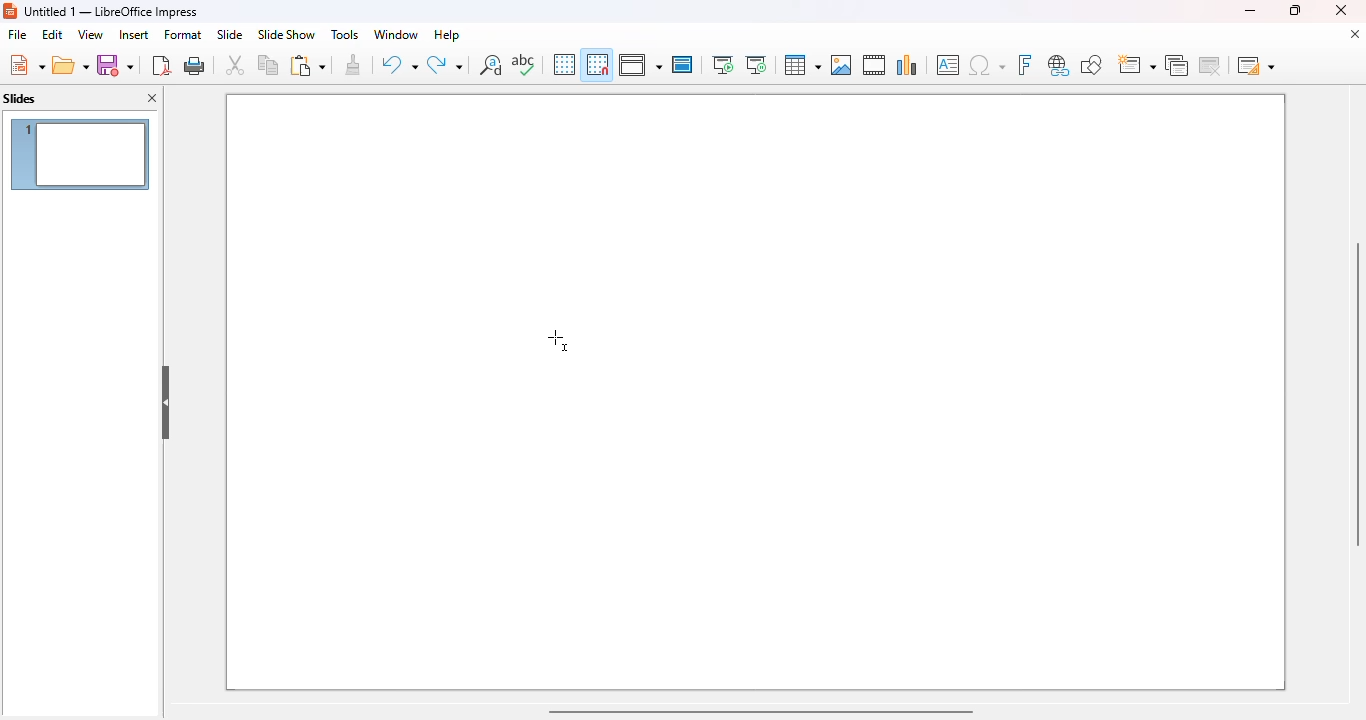 The width and height of the screenshot is (1366, 720). I want to click on display views, so click(640, 65).